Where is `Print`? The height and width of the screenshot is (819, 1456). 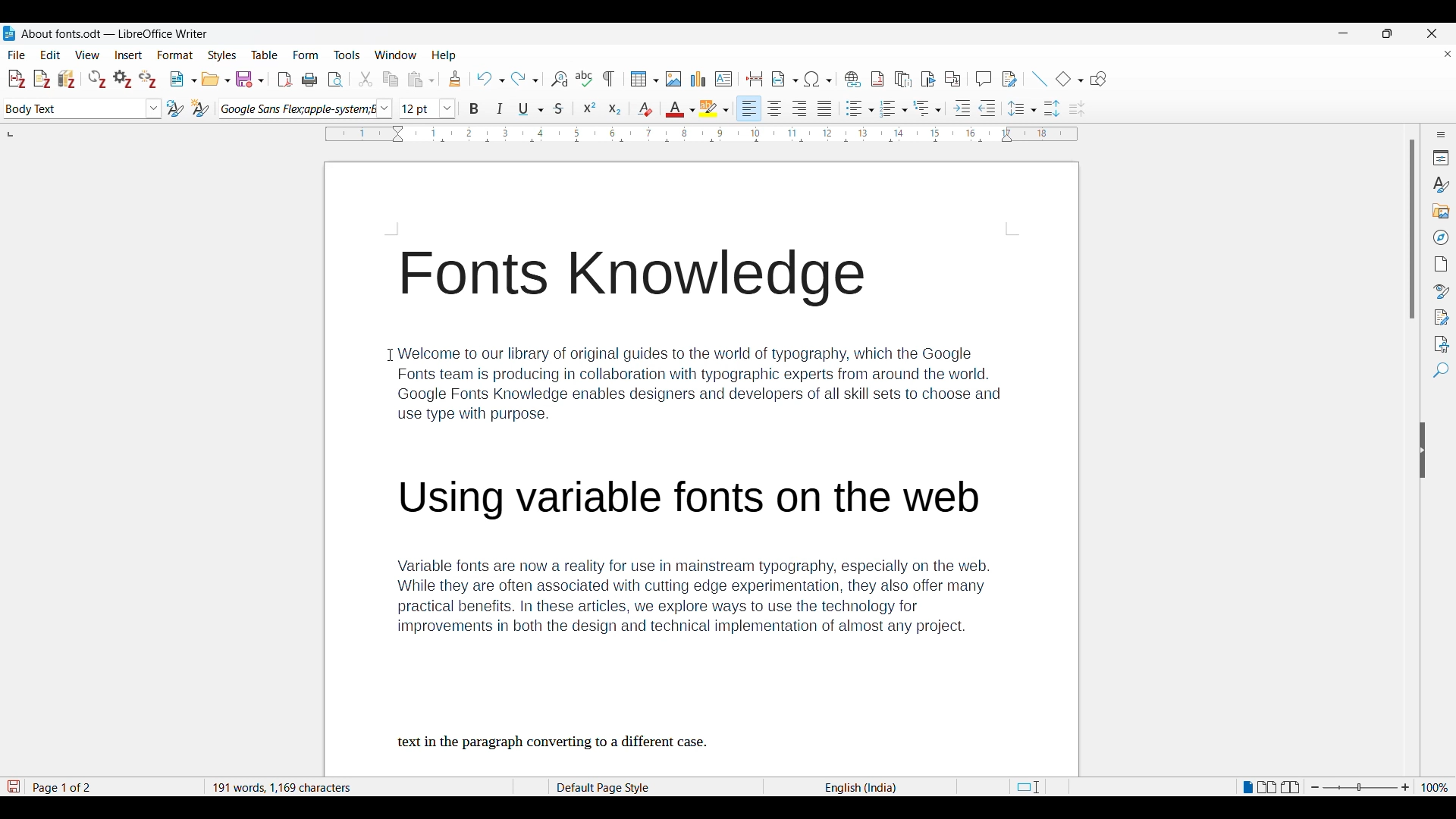 Print is located at coordinates (309, 80).